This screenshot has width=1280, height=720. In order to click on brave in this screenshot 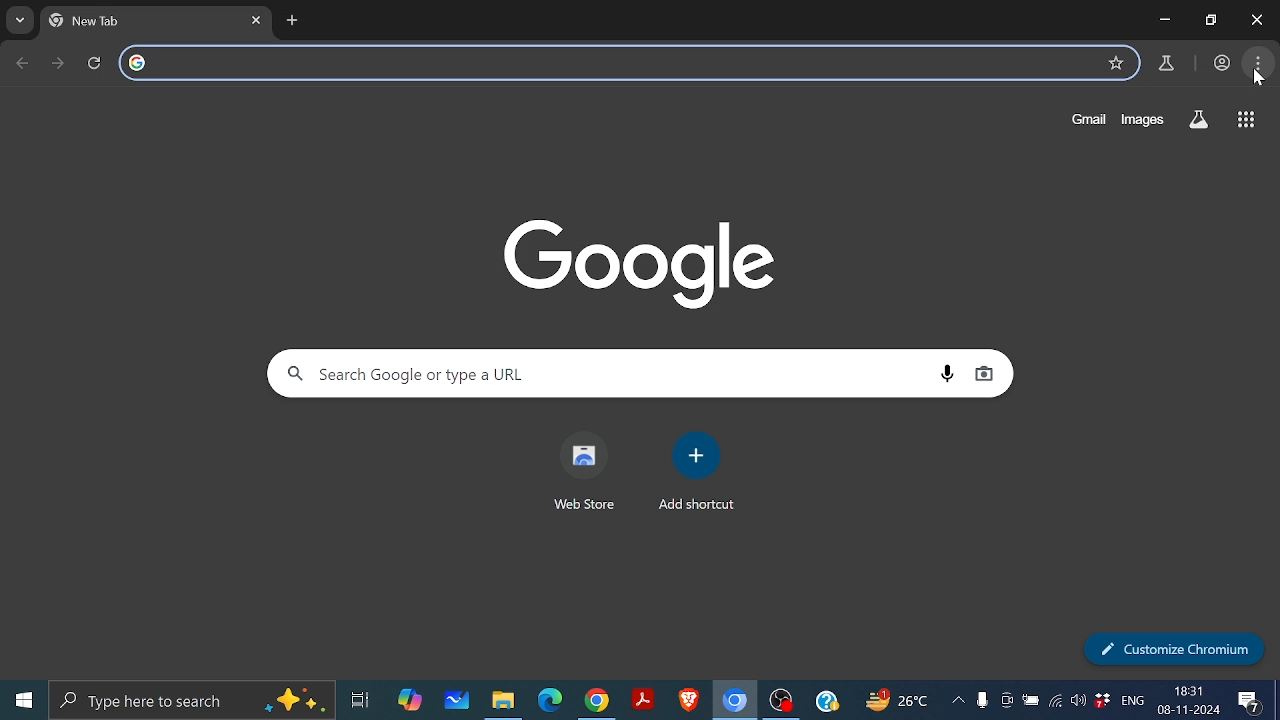, I will do `click(686, 701)`.